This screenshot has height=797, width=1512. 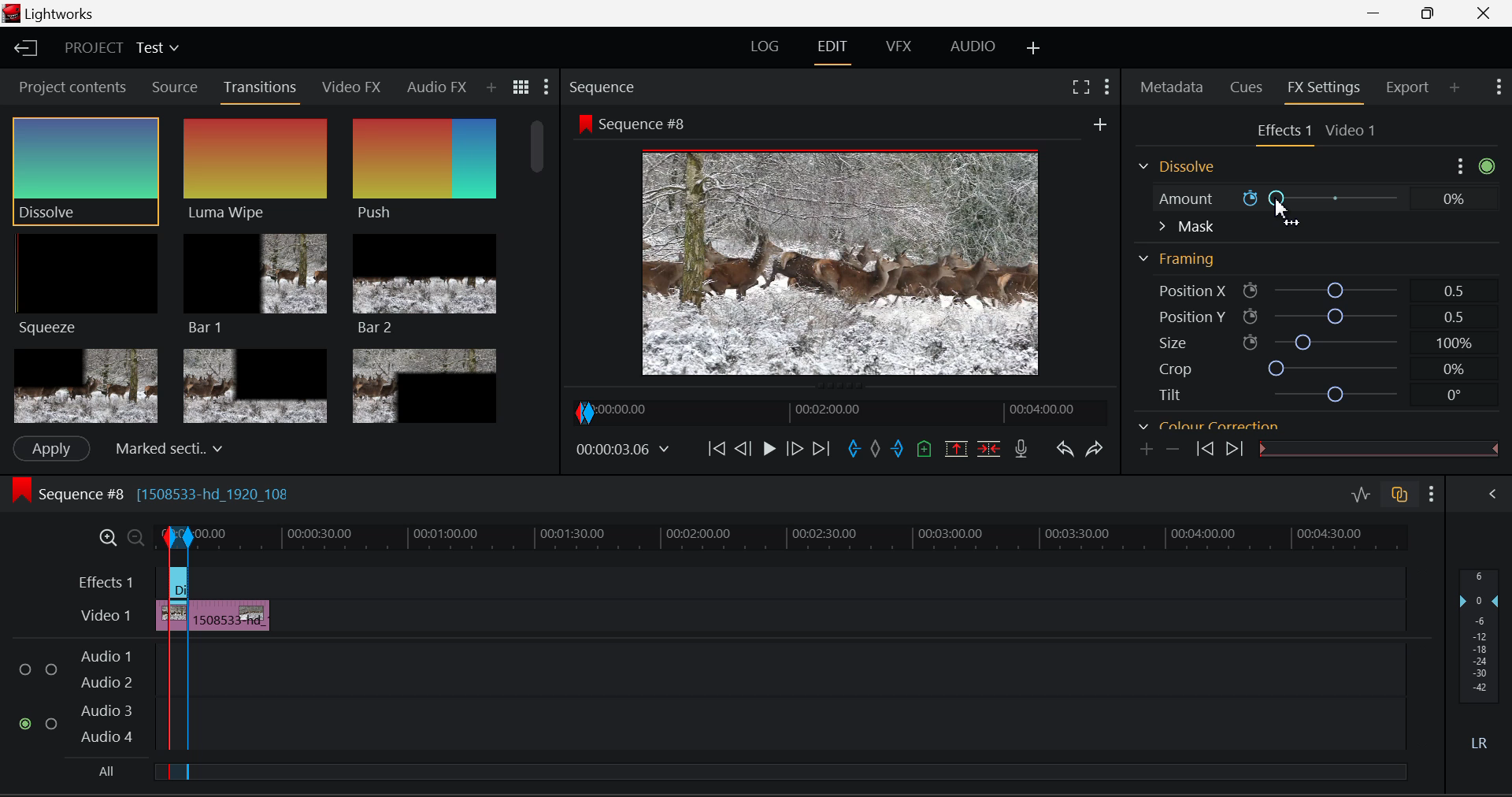 What do you see at coordinates (52, 721) in the screenshot?
I see `Audio Input Checkbox` at bounding box center [52, 721].